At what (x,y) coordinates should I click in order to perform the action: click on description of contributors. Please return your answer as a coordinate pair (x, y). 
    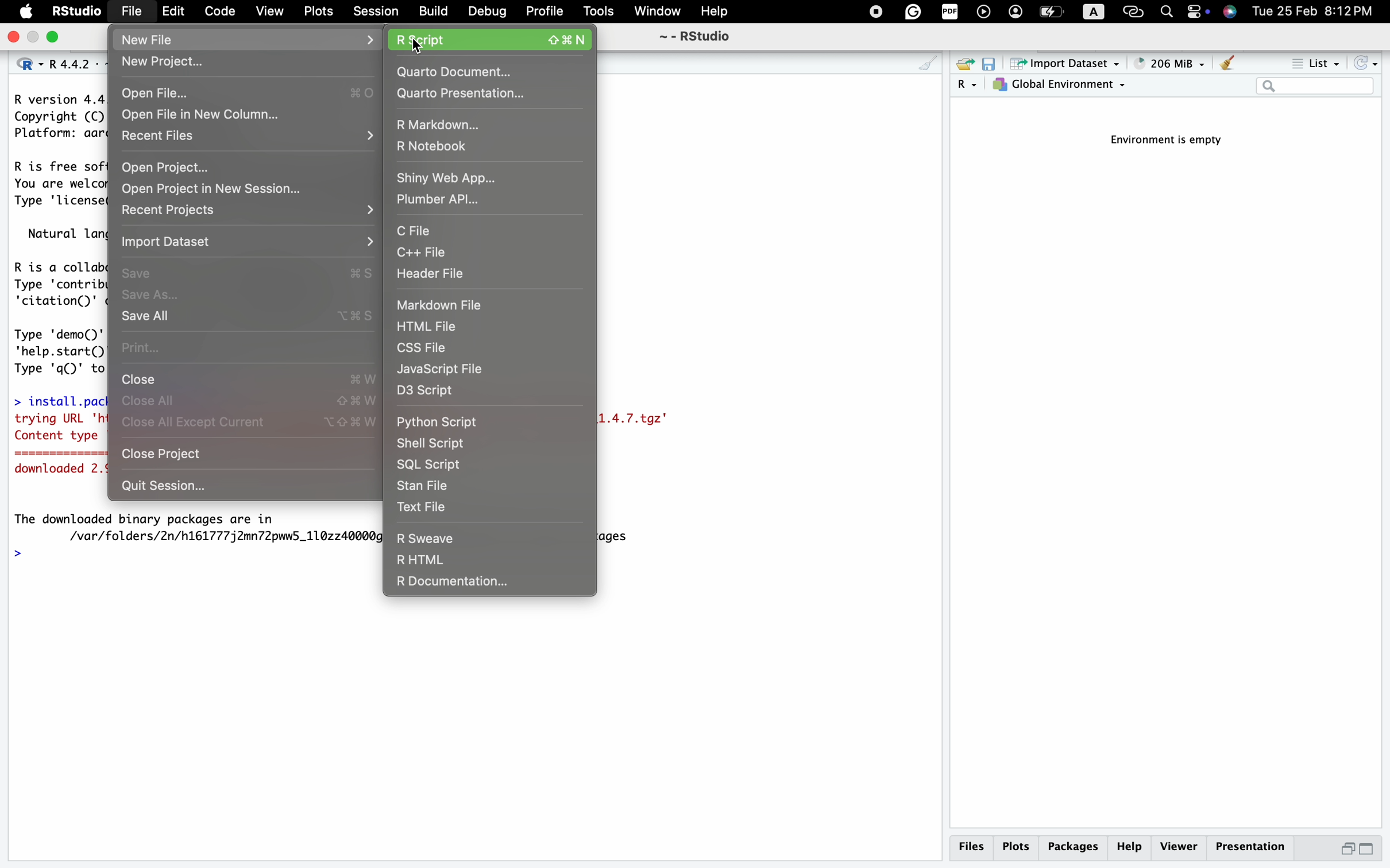
    Looking at the image, I should click on (56, 281).